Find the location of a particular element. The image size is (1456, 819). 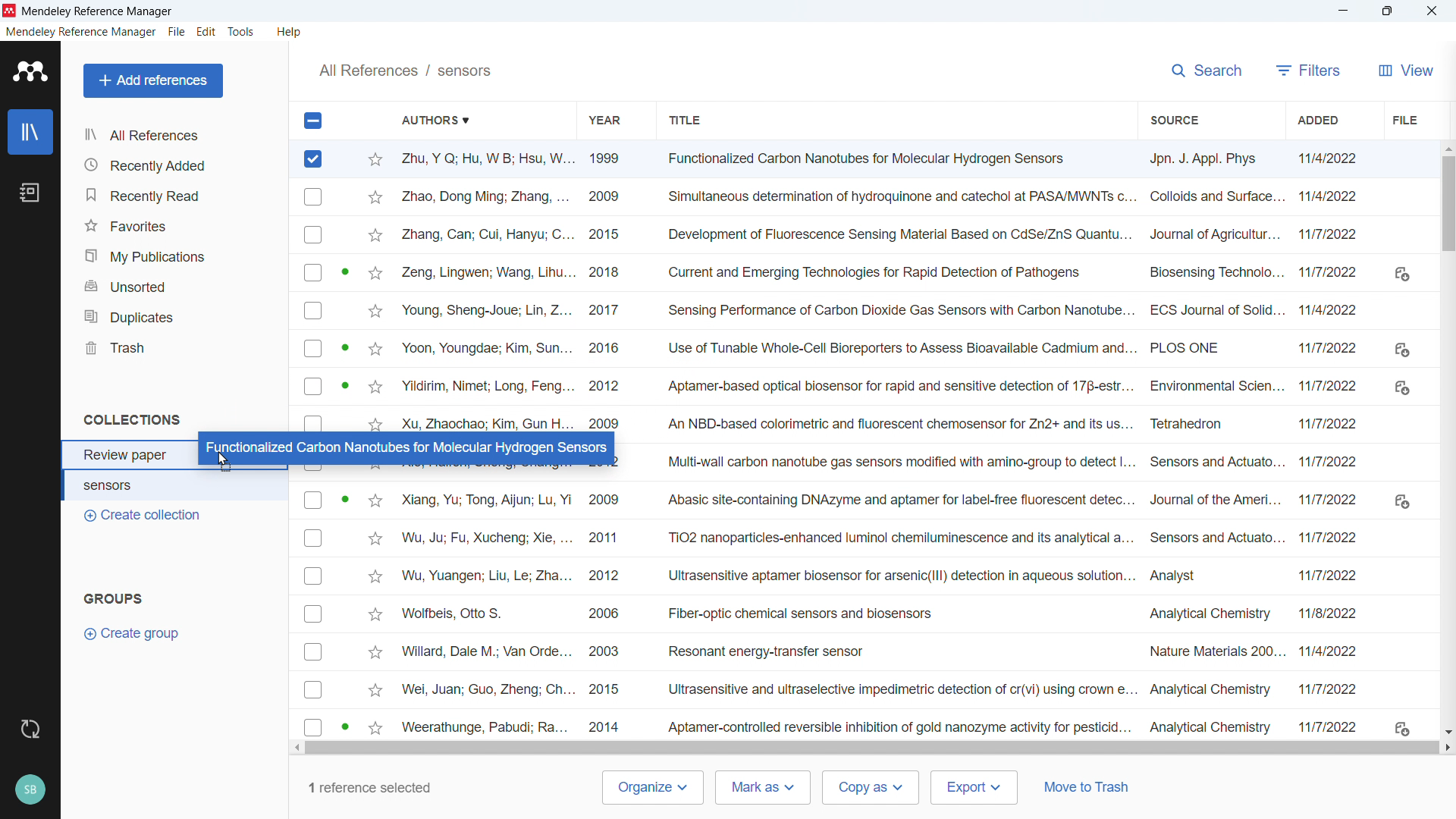

Recently read  is located at coordinates (177, 196).